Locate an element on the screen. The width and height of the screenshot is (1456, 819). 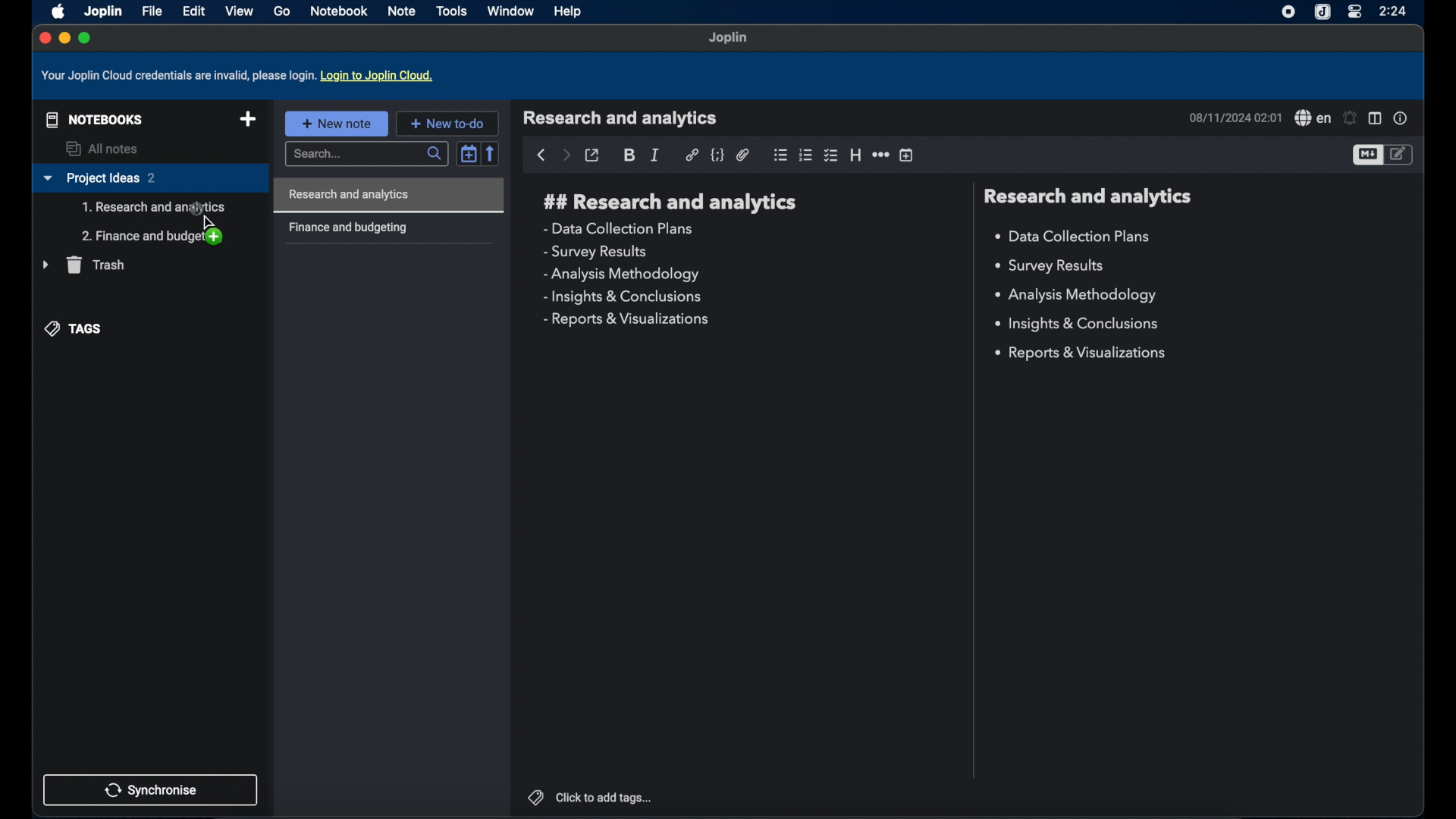
sub-notebook(Research and analytics) is located at coordinates (154, 208).